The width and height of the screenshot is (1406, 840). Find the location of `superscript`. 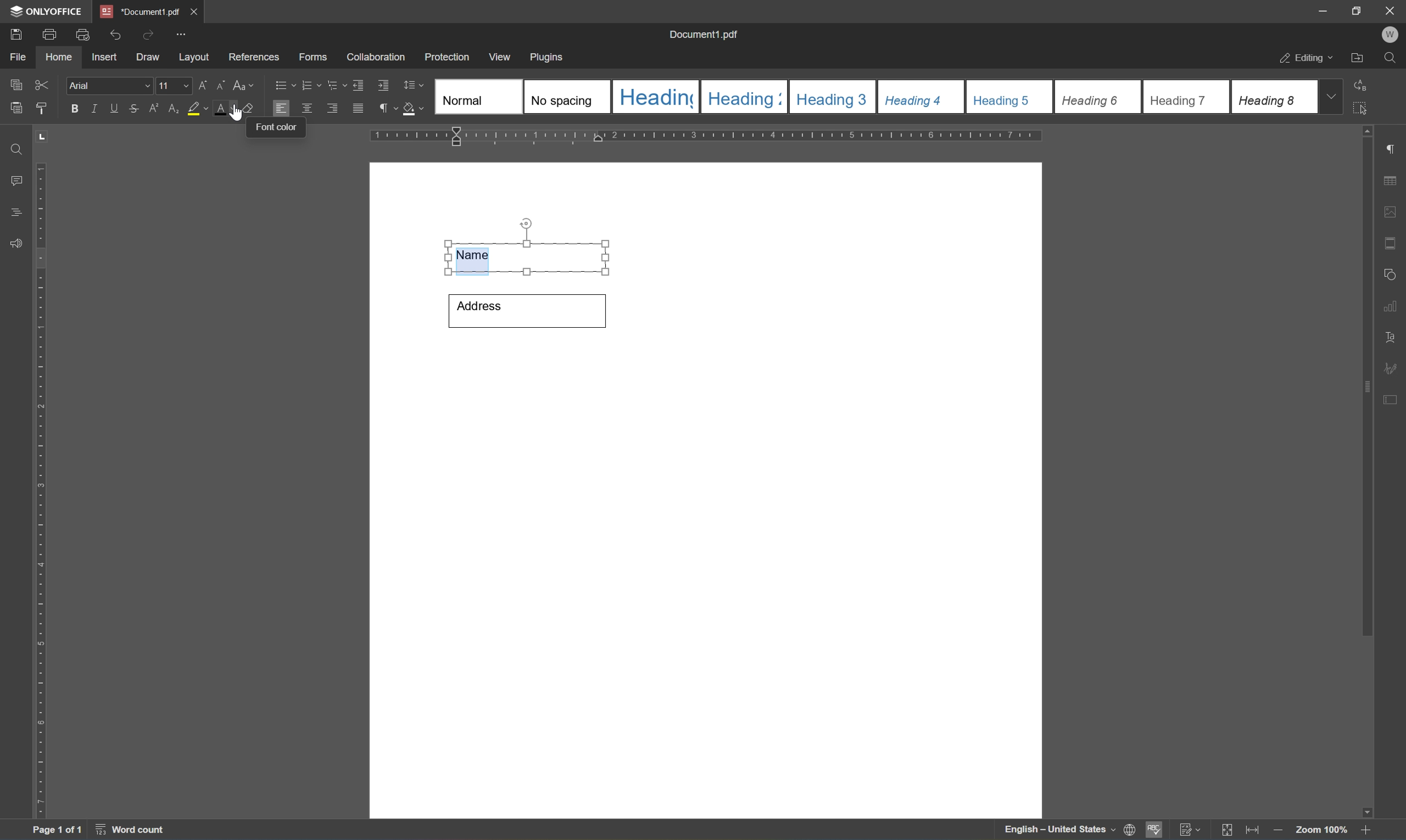

superscript is located at coordinates (153, 110).